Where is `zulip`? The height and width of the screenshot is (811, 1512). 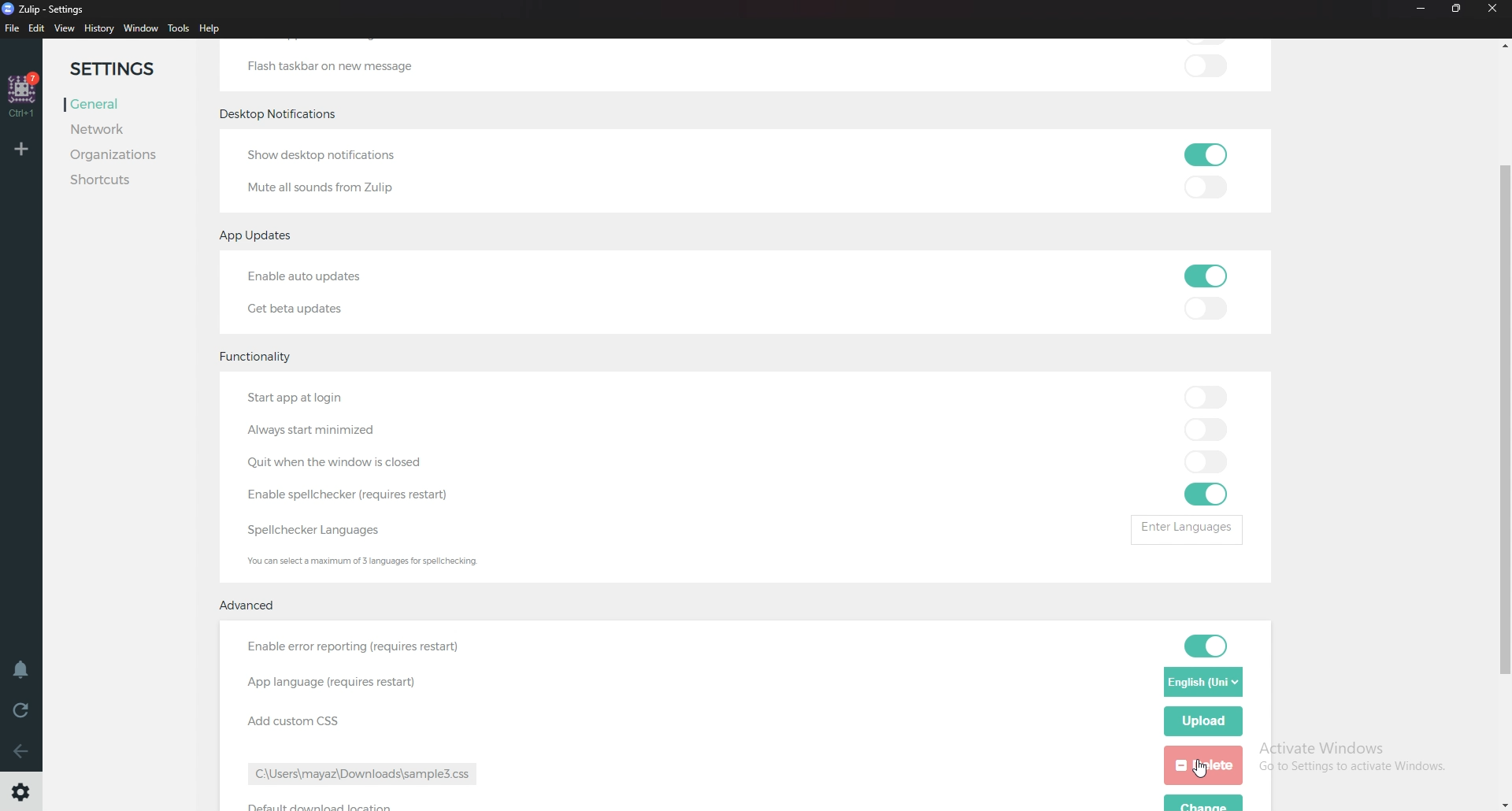
zulip is located at coordinates (42, 8).